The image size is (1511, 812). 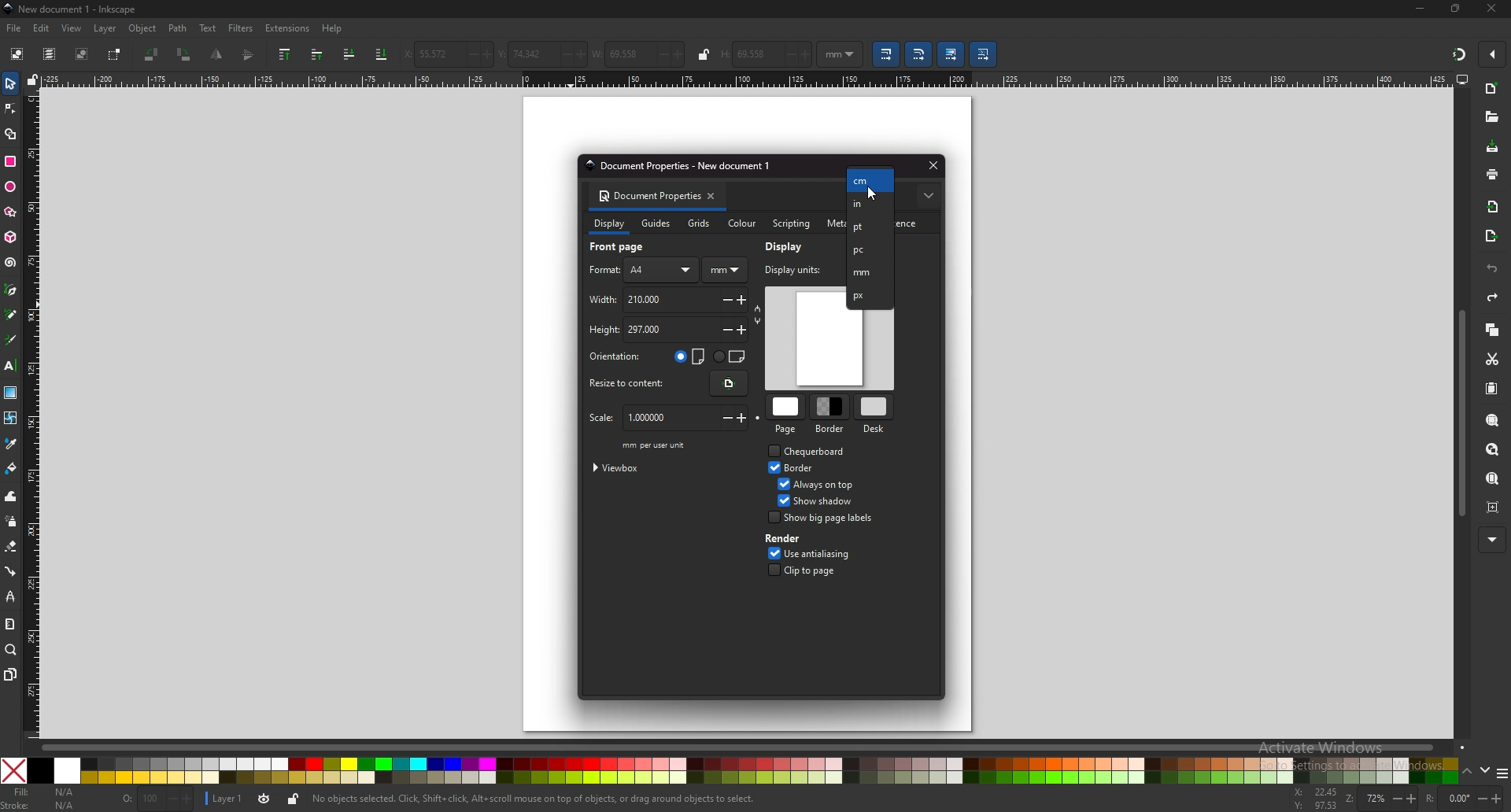 I want to click on Close, so click(x=13, y=770).